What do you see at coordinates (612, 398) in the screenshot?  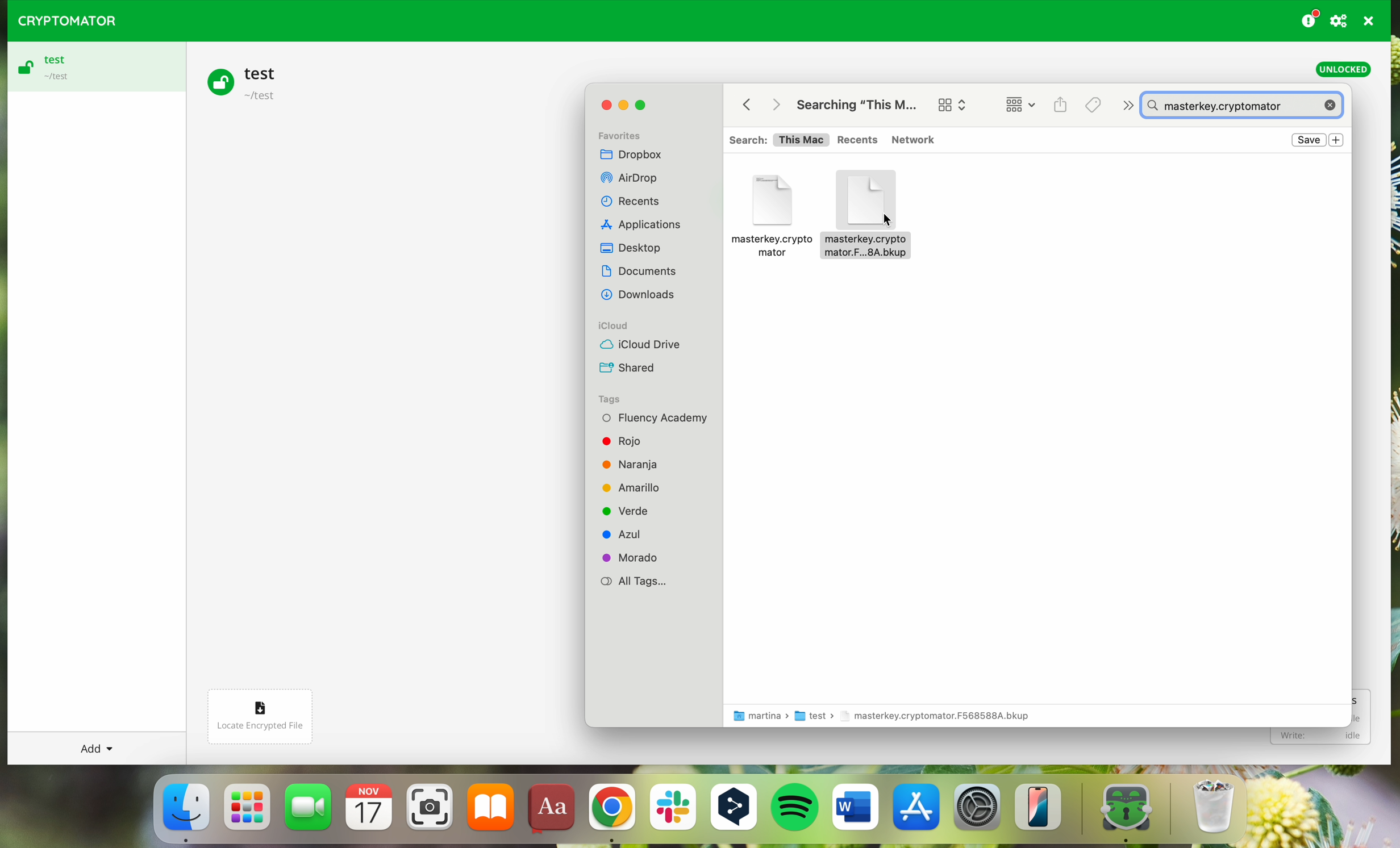 I see `Tags` at bounding box center [612, 398].